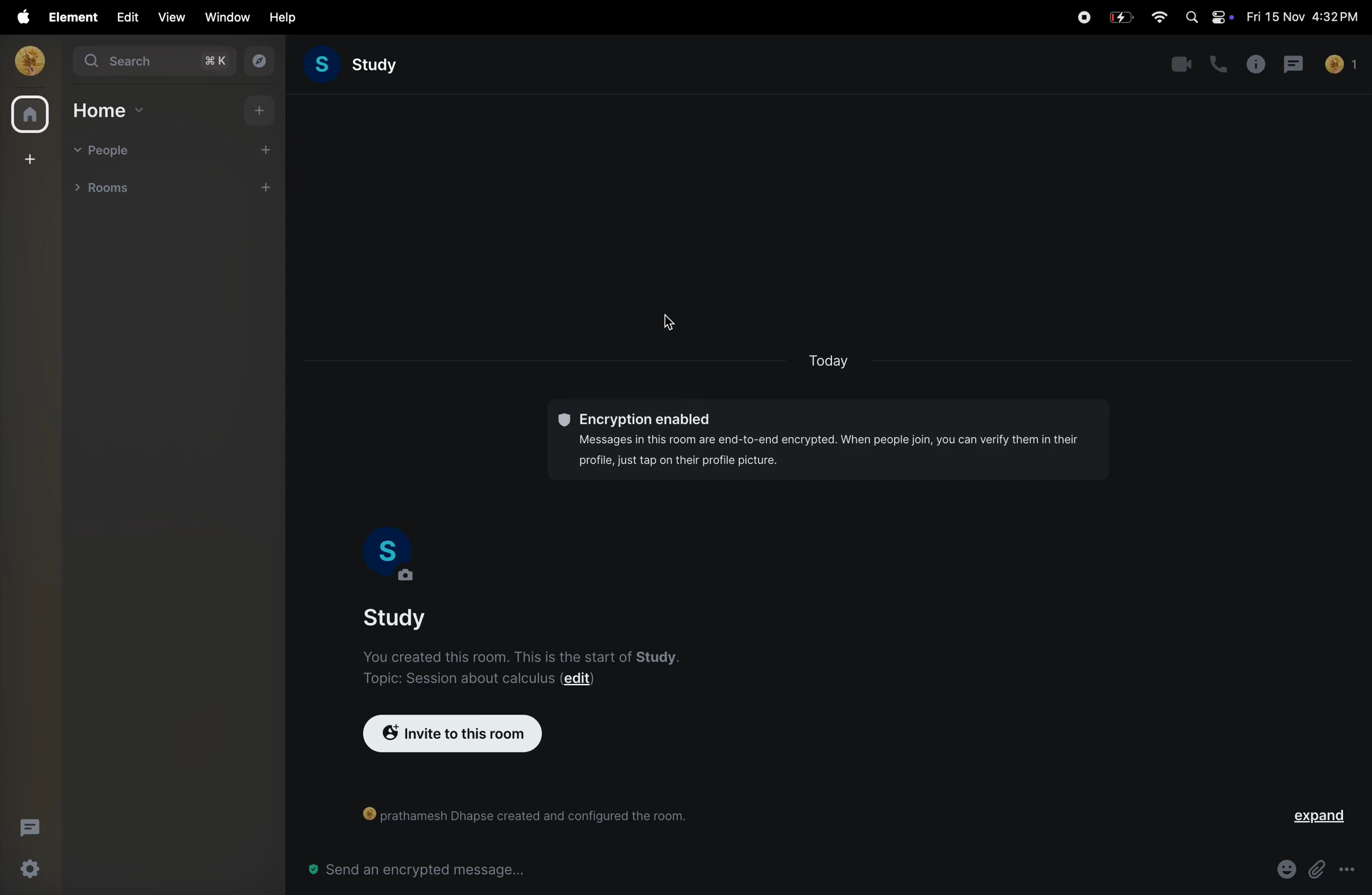 This screenshot has width=1372, height=895. What do you see at coordinates (28, 160) in the screenshot?
I see `create room` at bounding box center [28, 160].